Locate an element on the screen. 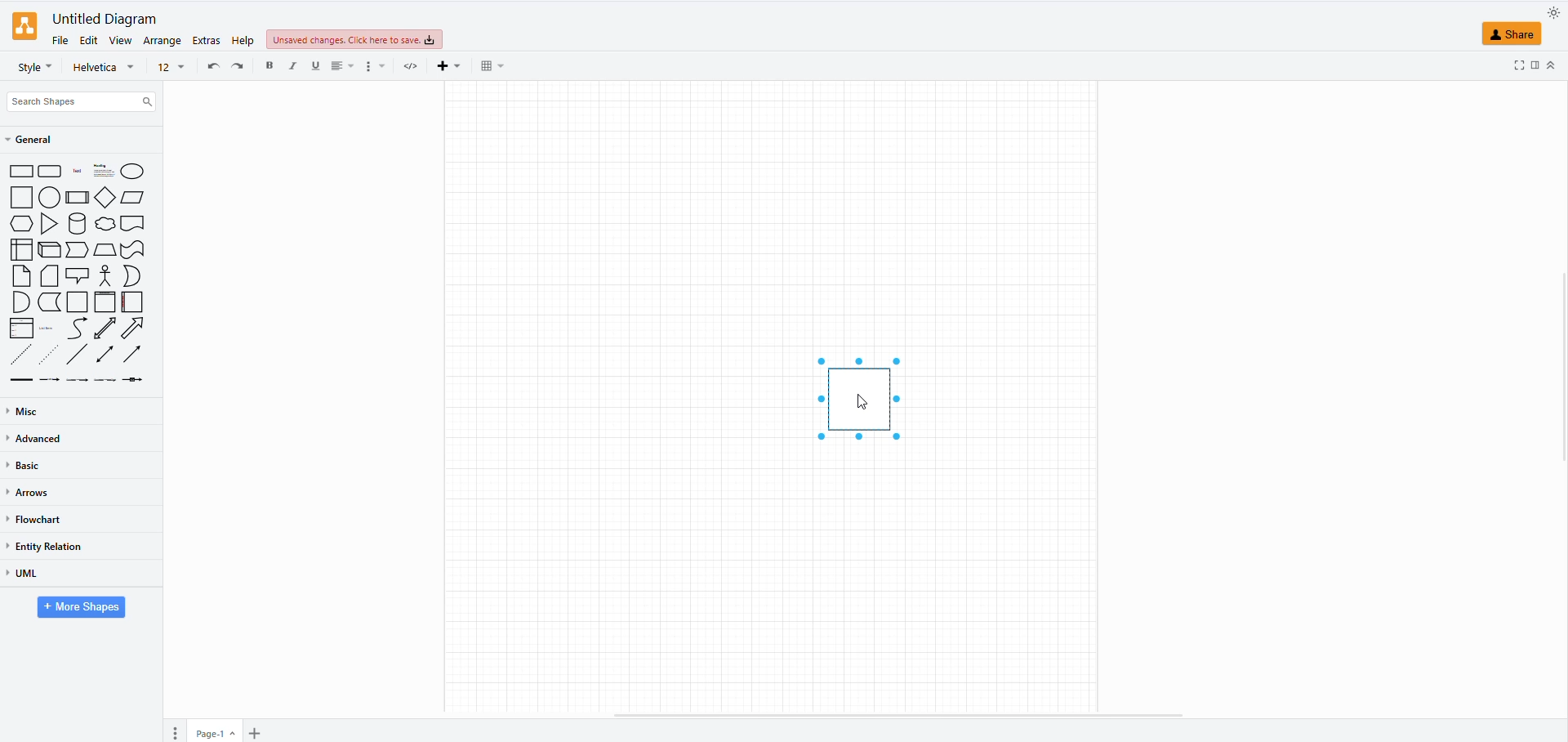 The width and height of the screenshot is (1568, 742). appearance is located at coordinates (1548, 14).